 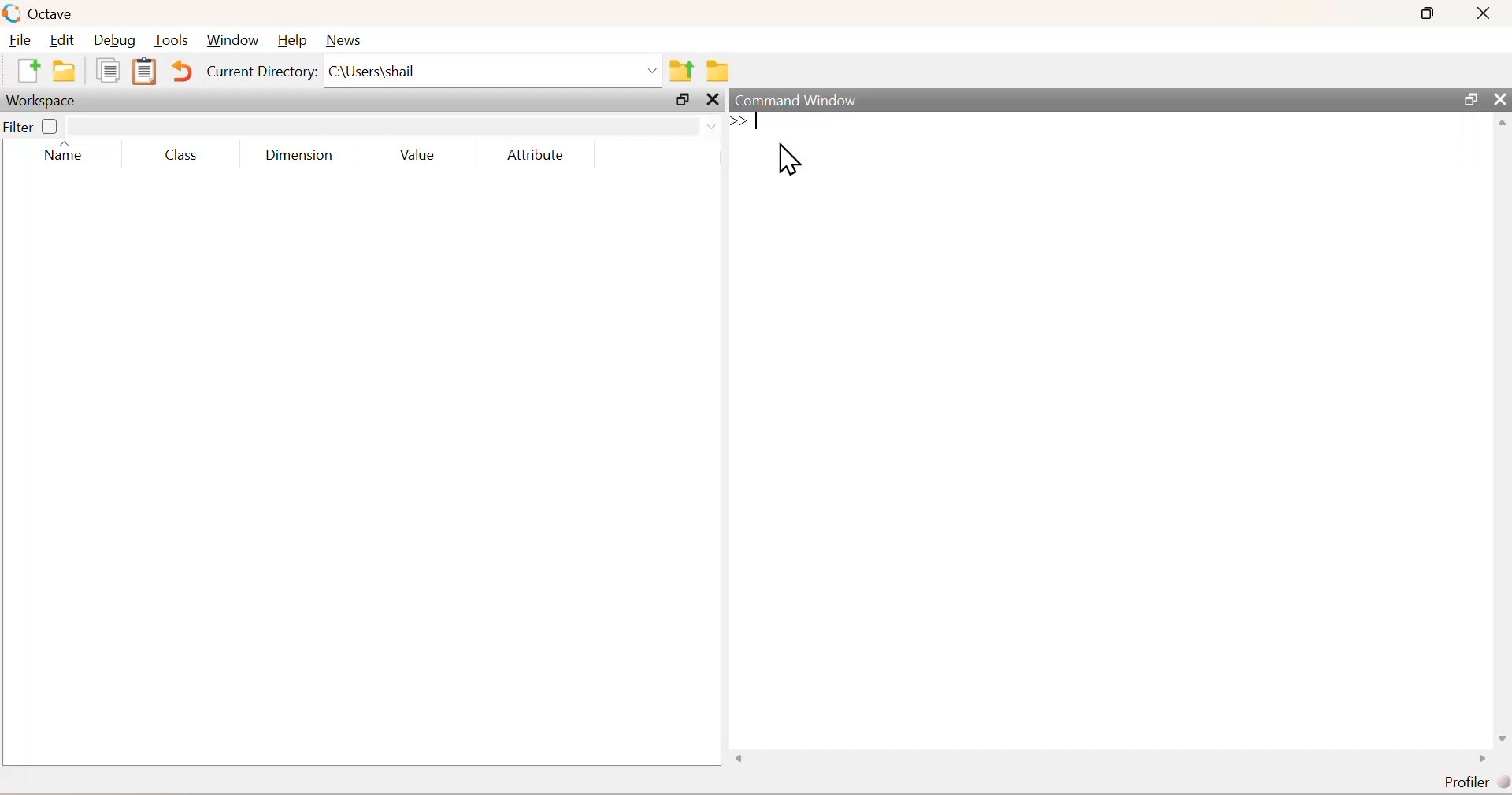 What do you see at coordinates (745, 121) in the screenshot?
I see `stary typing` at bounding box center [745, 121].